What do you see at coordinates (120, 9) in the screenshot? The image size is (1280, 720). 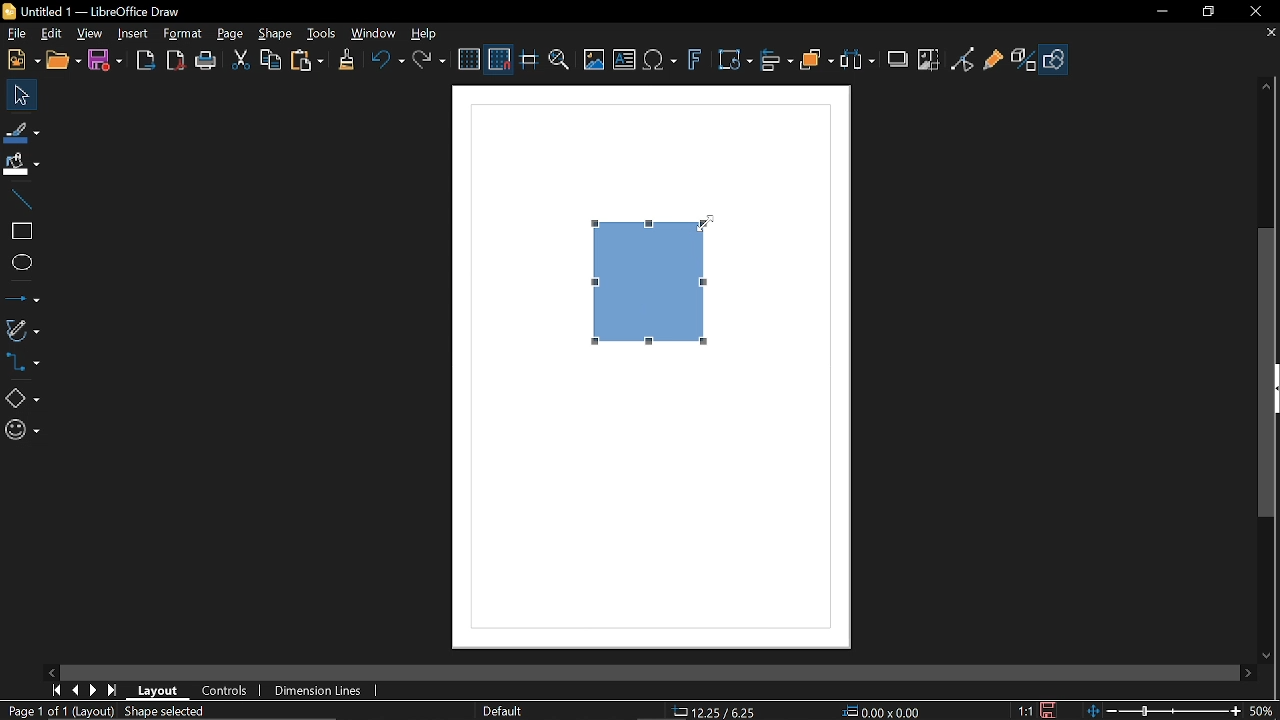 I see `Untitled 1 -- LibreOffice Draw` at bounding box center [120, 9].